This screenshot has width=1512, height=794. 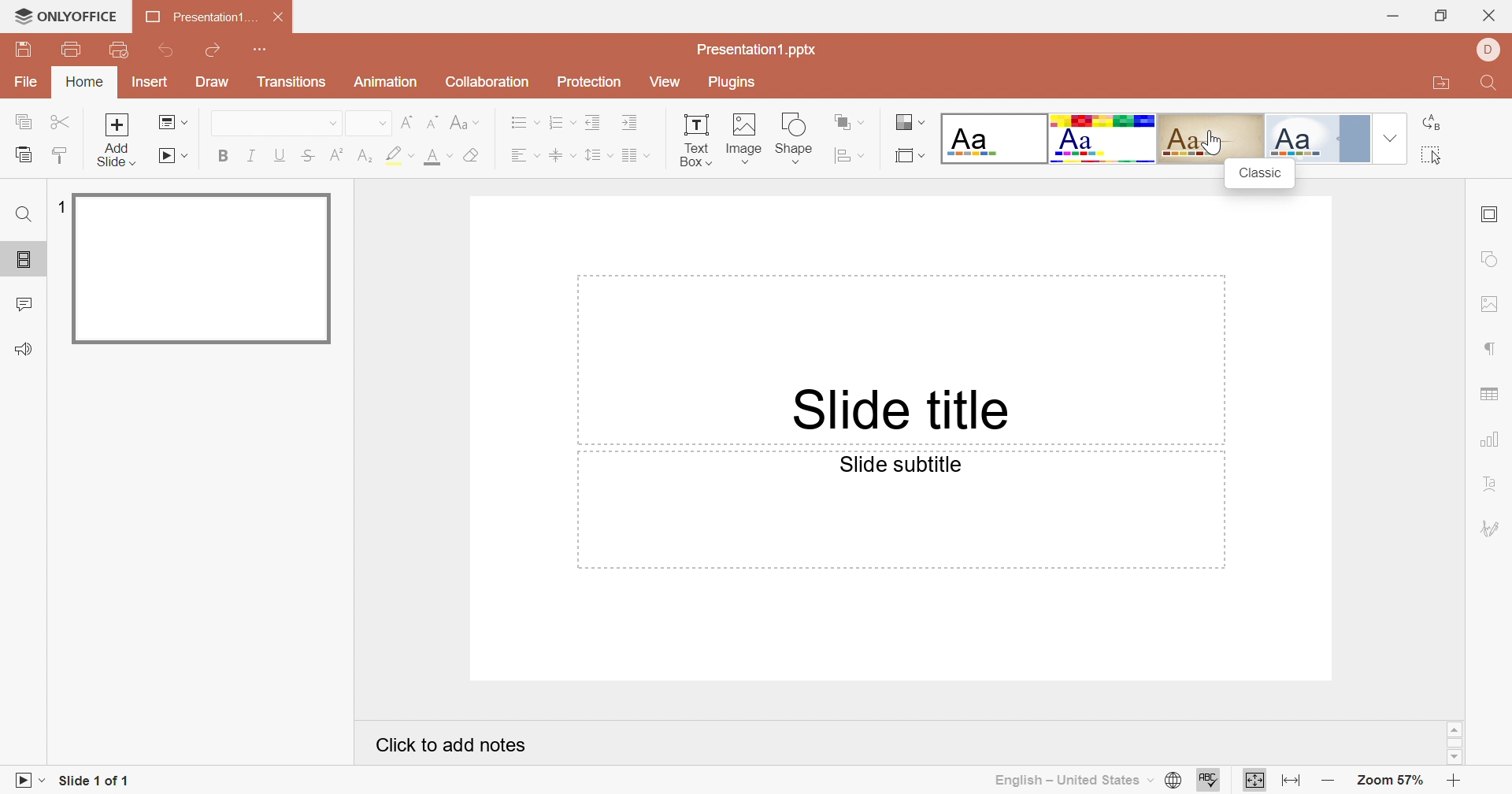 I want to click on Check spelling, so click(x=1210, y=781).